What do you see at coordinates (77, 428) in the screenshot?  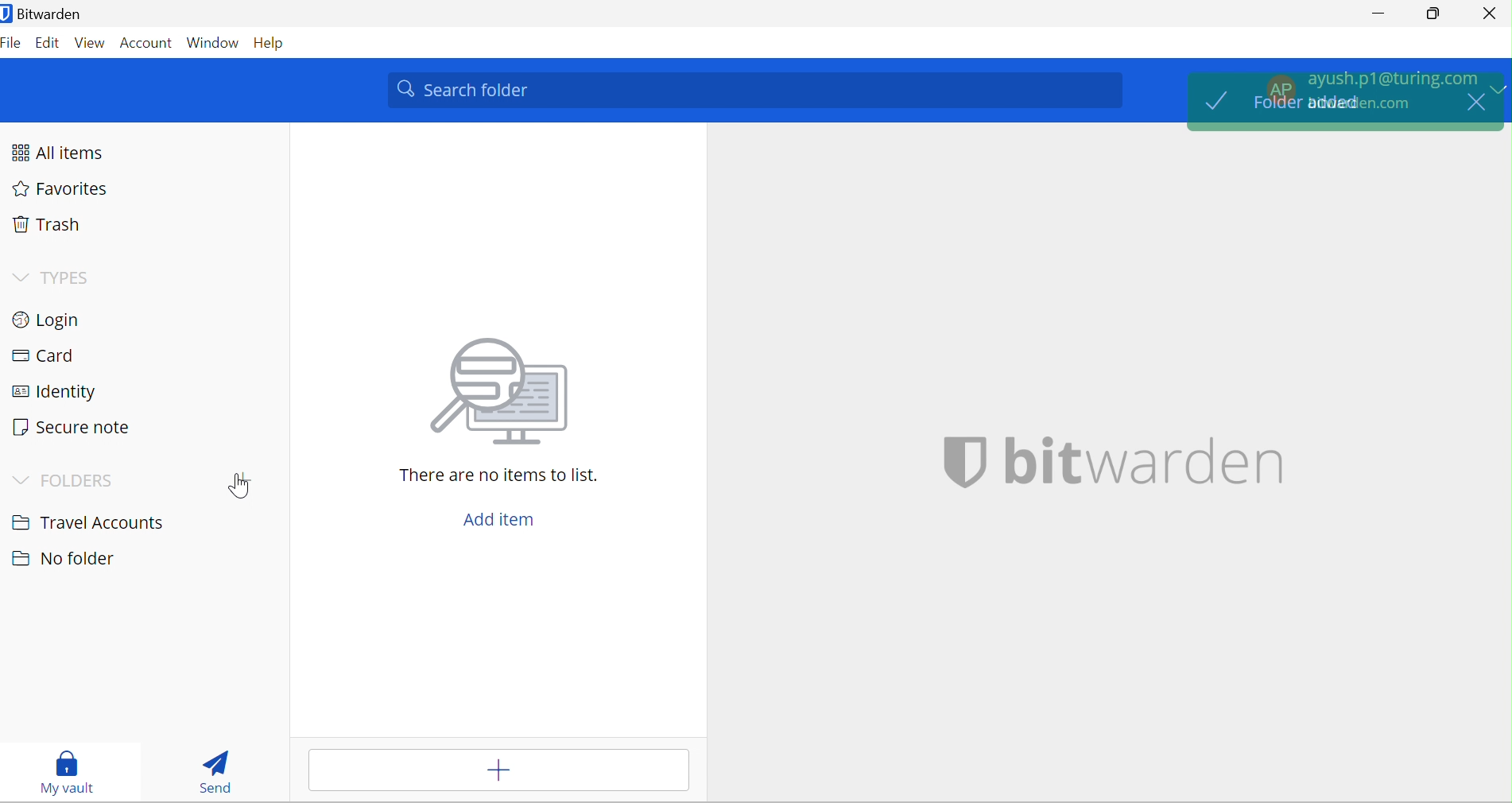 I see `Secure note` at bounding box center [77, 428].